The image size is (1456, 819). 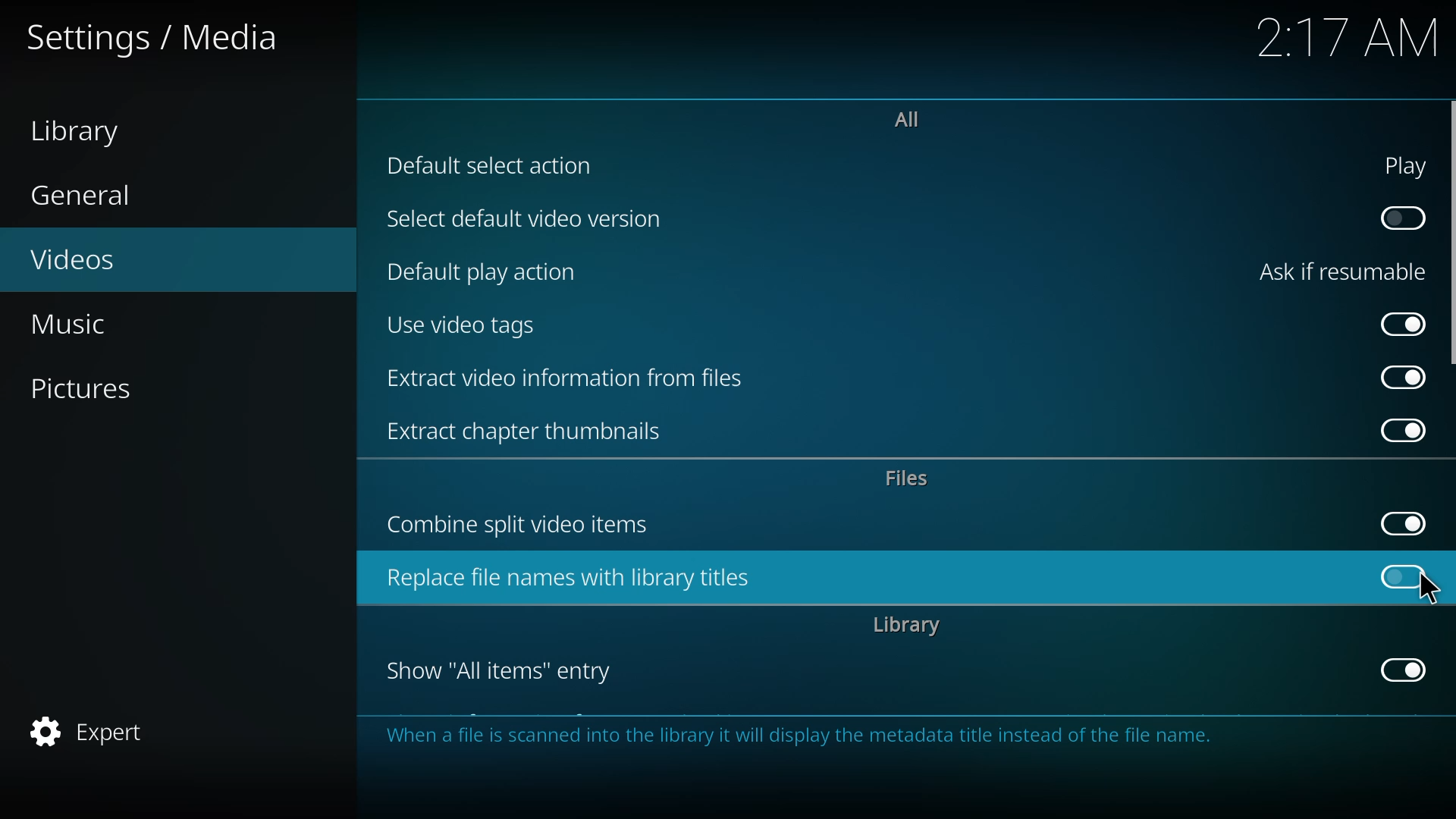 What do you see at coordinates (83, 390) in the screenshot?
I see `pictures` at bounding box center [83, 390].